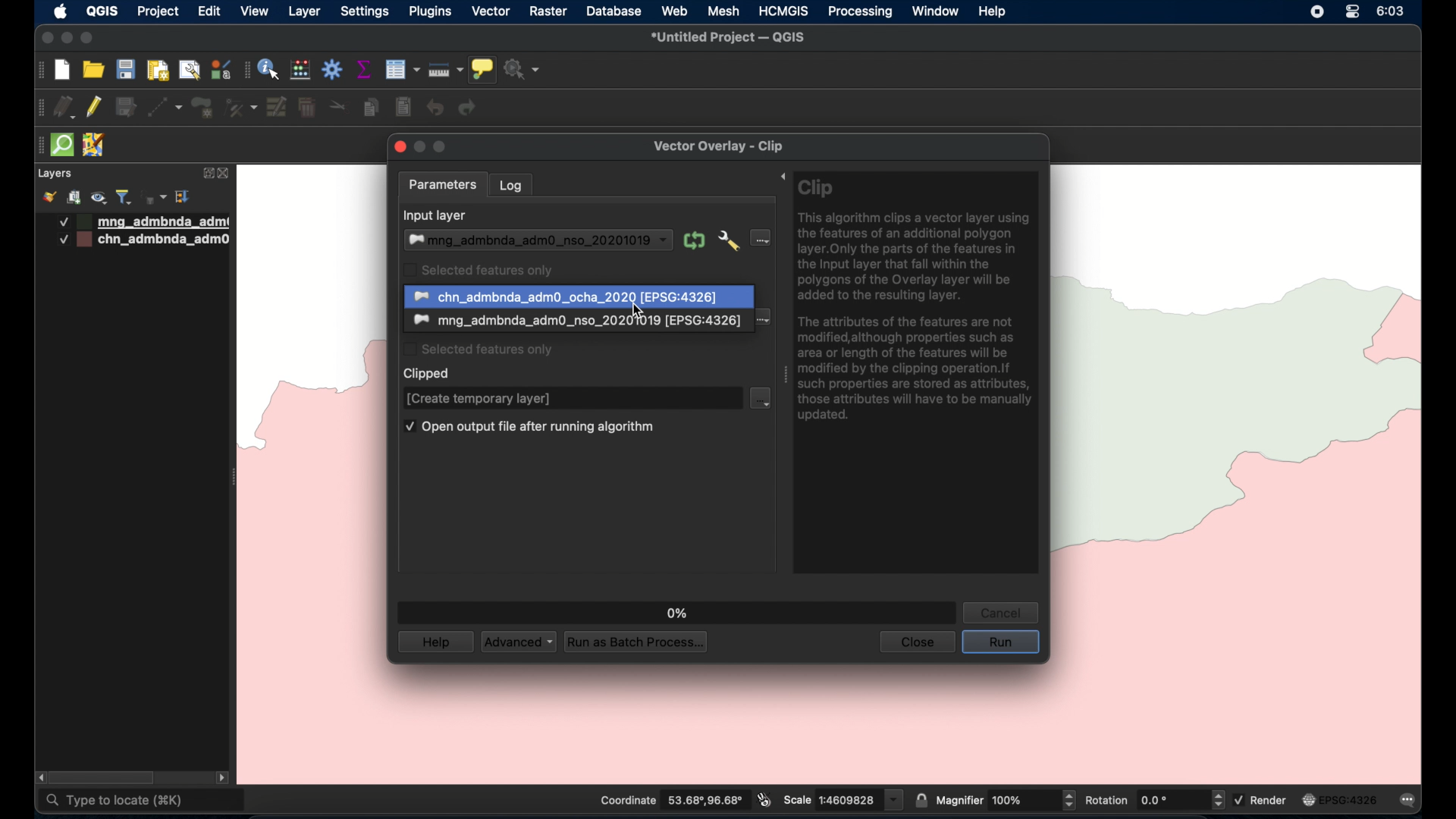 The width and height of the screenshot is (1456, 819). I want to click on toggle extents and mouse display position, so click(764, 799).